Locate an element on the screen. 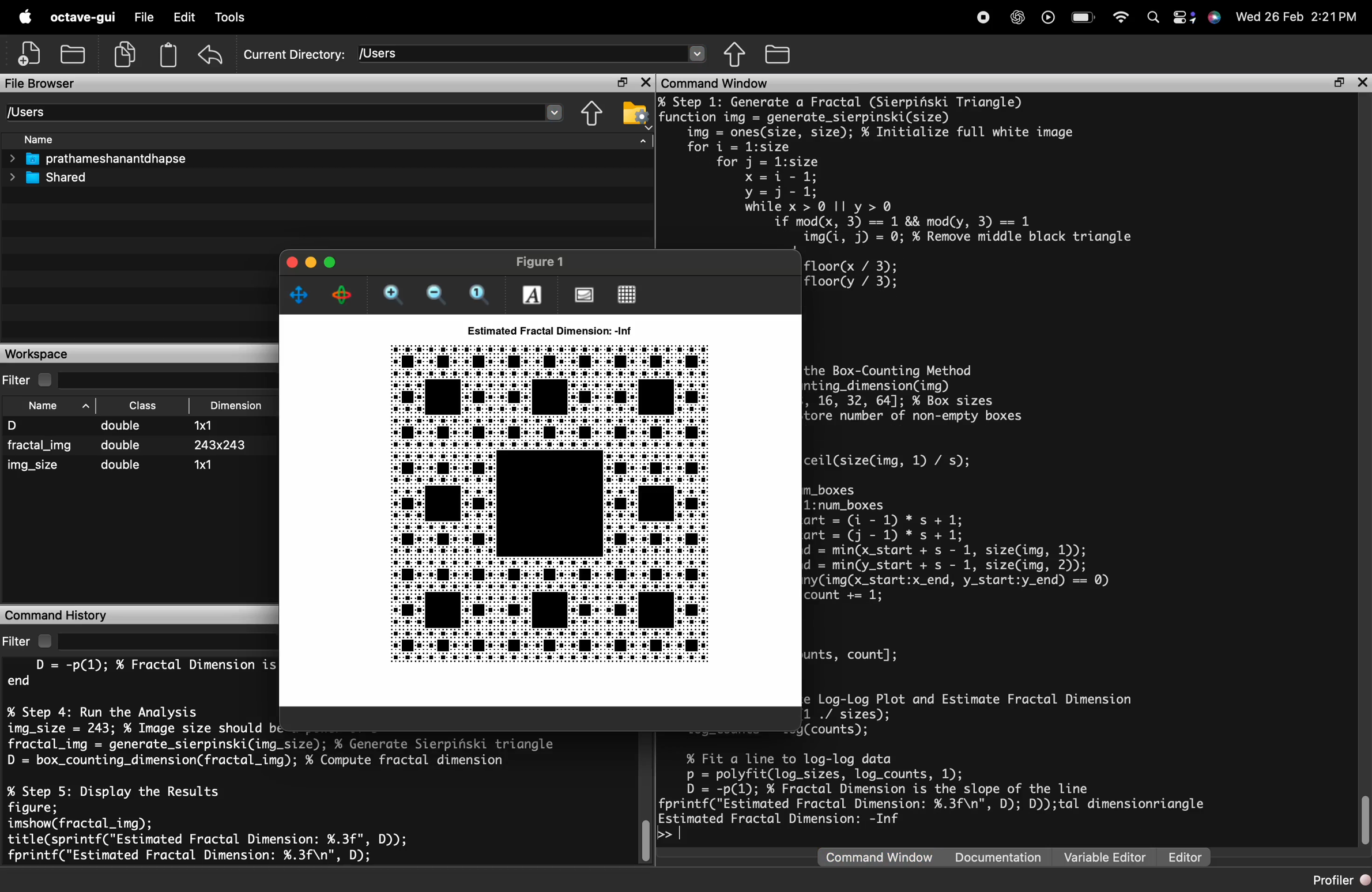  pattern is located at coordinates (561, 505).